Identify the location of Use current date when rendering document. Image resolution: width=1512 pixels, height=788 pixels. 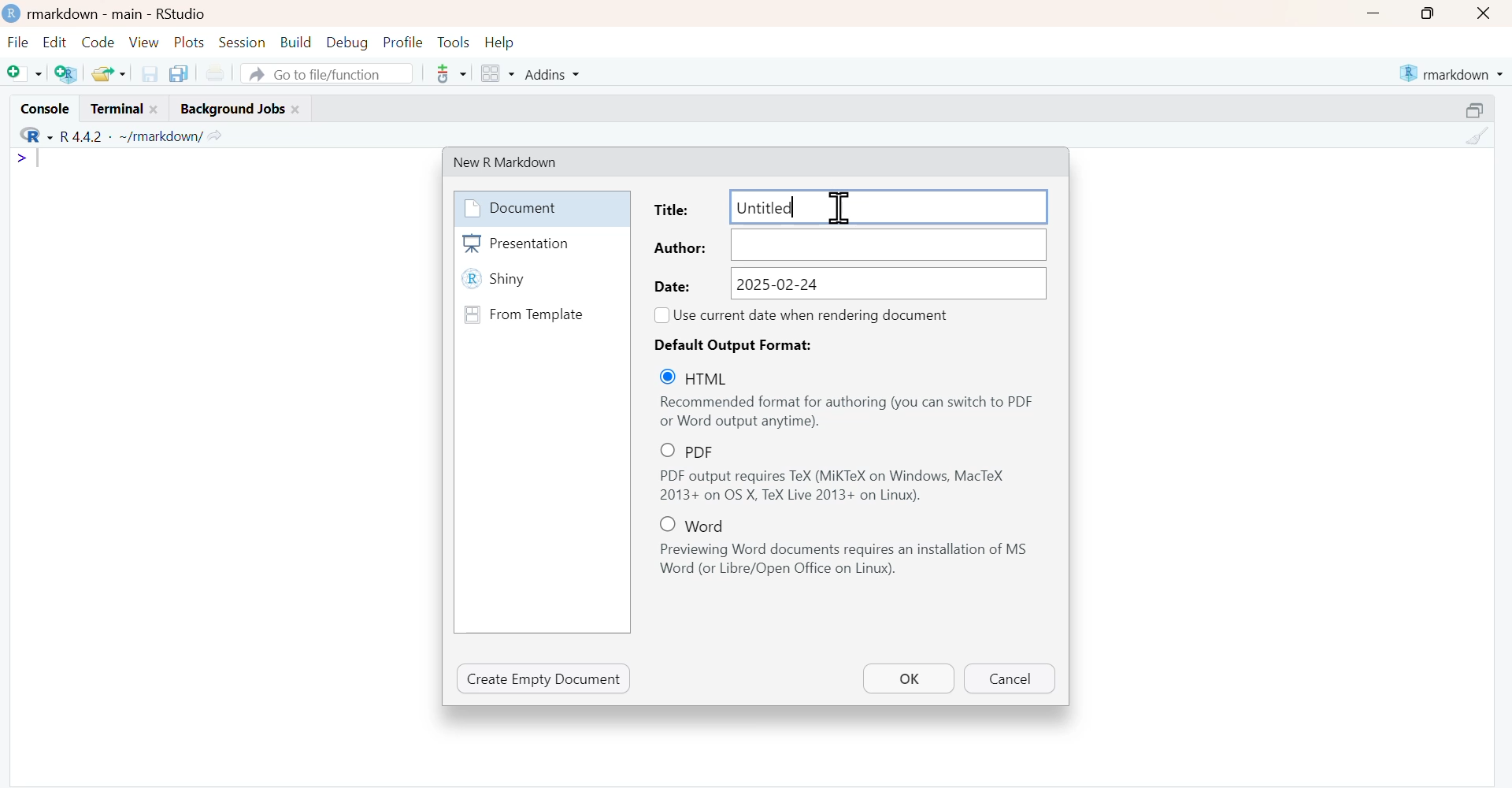
(815, 314).